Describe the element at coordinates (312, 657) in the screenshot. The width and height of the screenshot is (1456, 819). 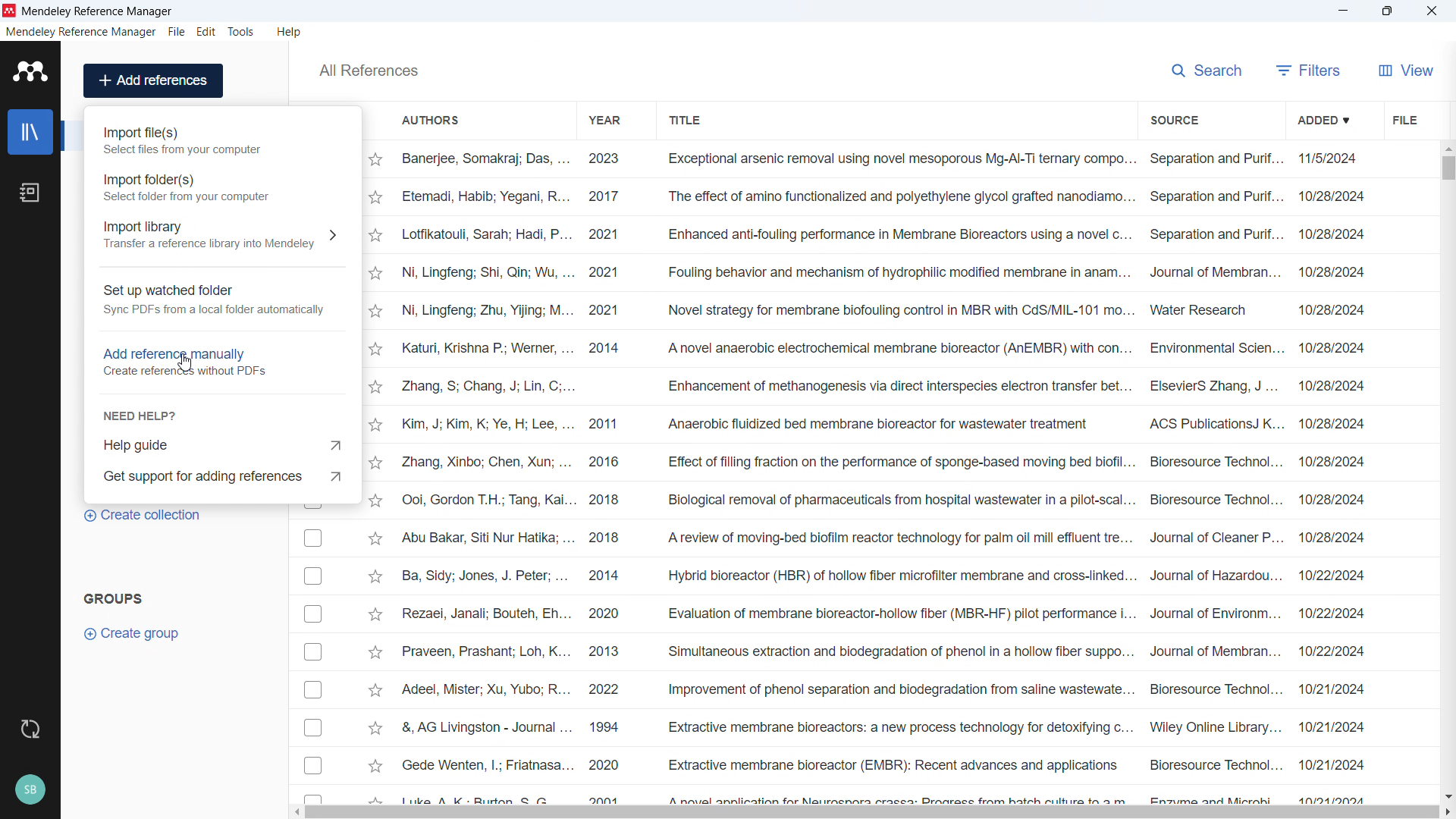
I see `Select individual entries ` at that location.